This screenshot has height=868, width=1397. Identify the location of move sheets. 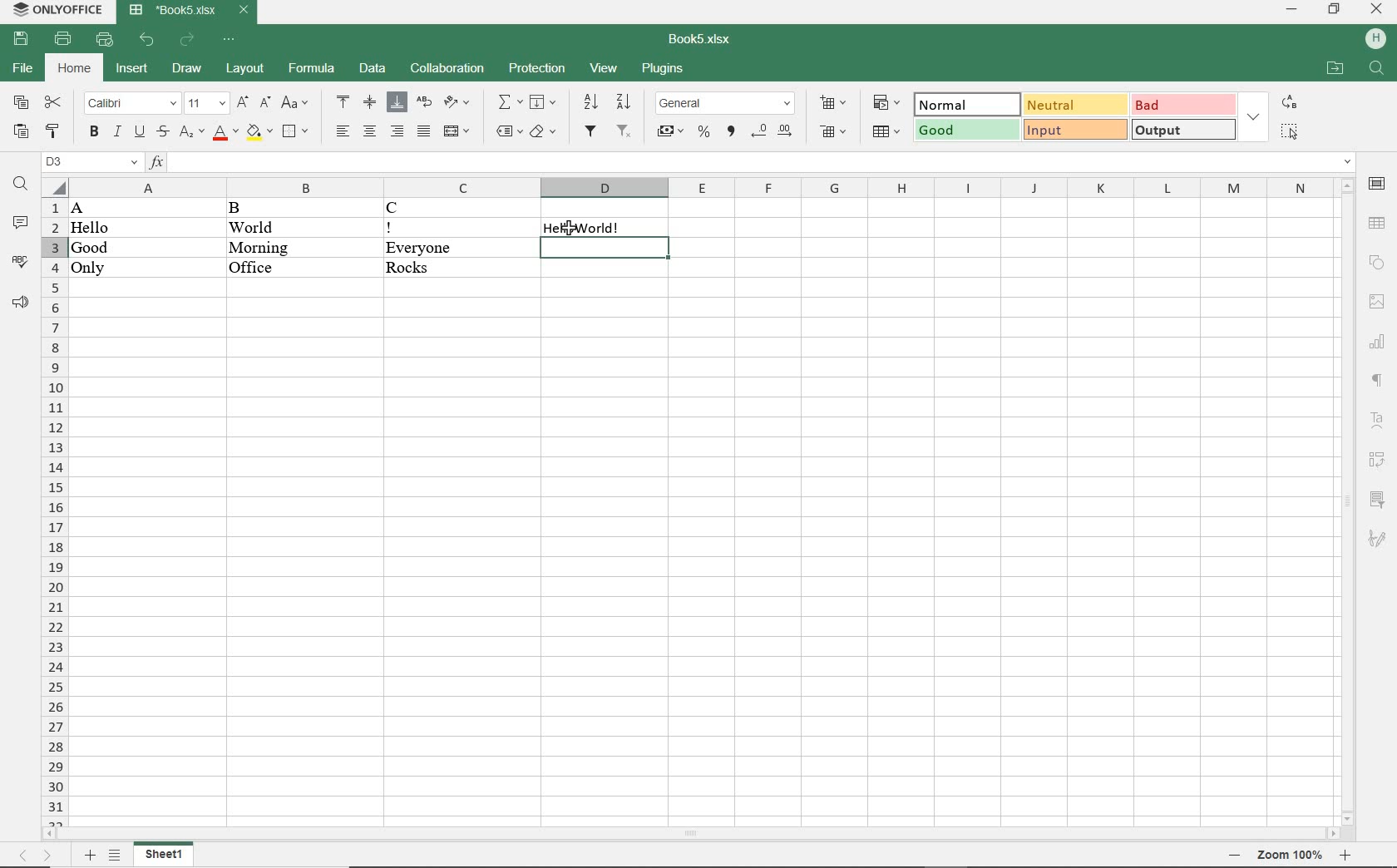
(39, 854).